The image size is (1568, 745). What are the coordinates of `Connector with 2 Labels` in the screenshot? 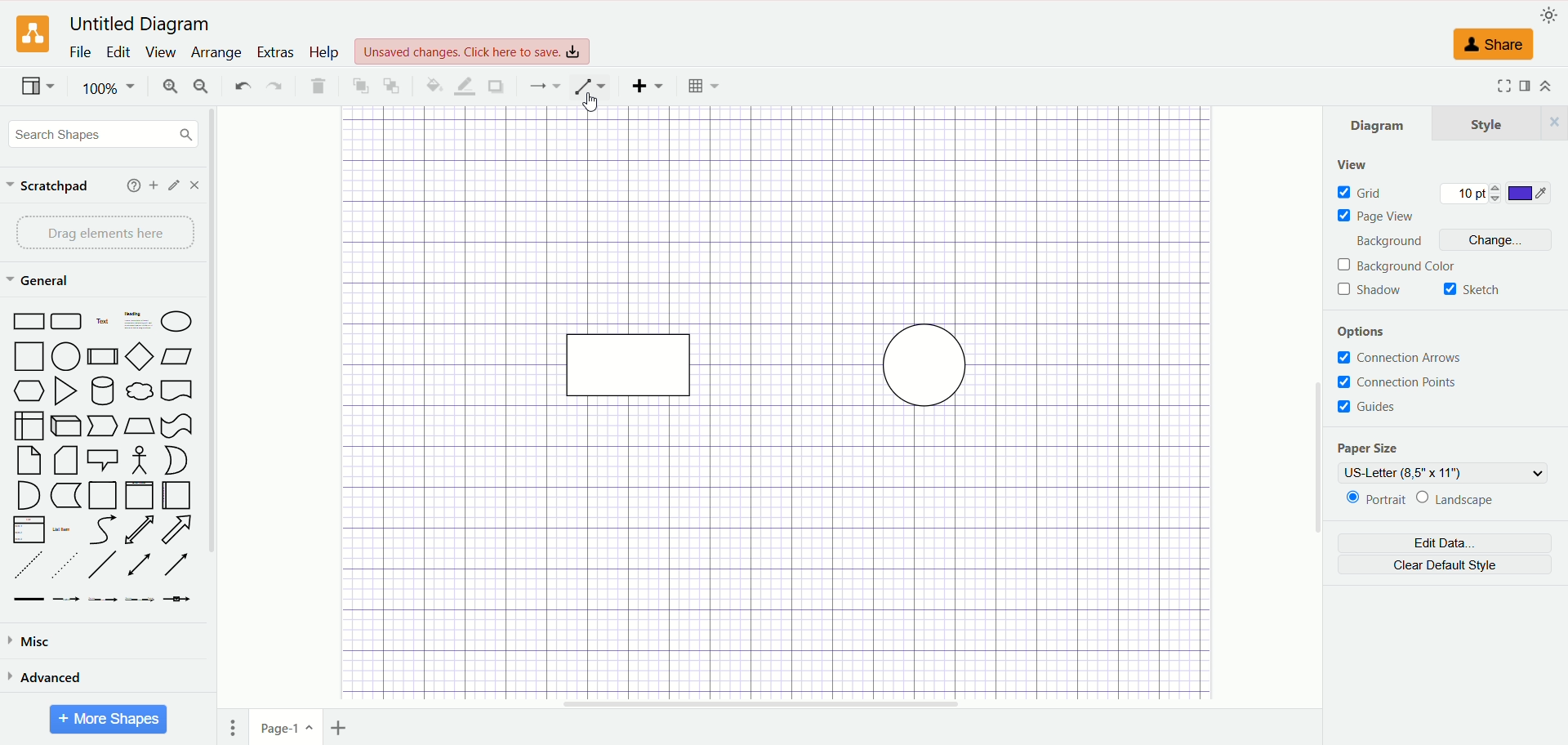 It's located at (104, 603).